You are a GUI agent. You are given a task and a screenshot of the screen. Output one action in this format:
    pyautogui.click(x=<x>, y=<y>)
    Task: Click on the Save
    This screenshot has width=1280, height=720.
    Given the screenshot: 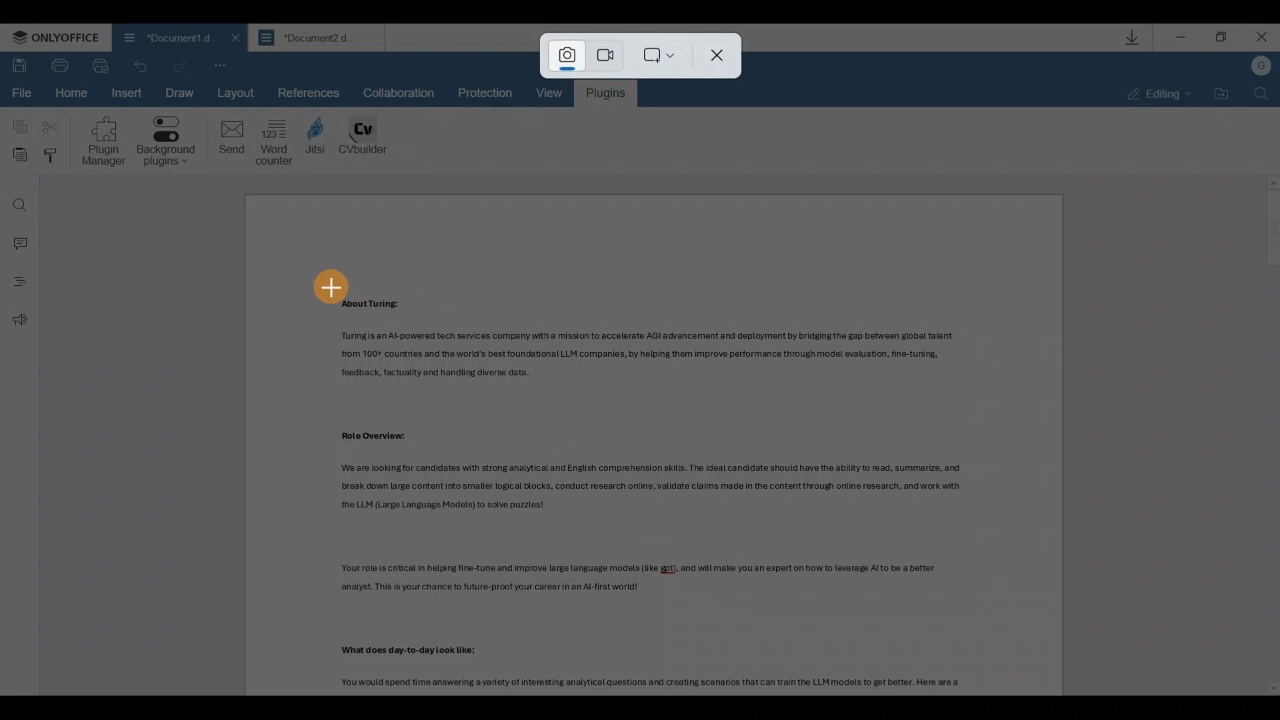 What is the action you would take?
    pyautogui.click(x=19, y=64)
    